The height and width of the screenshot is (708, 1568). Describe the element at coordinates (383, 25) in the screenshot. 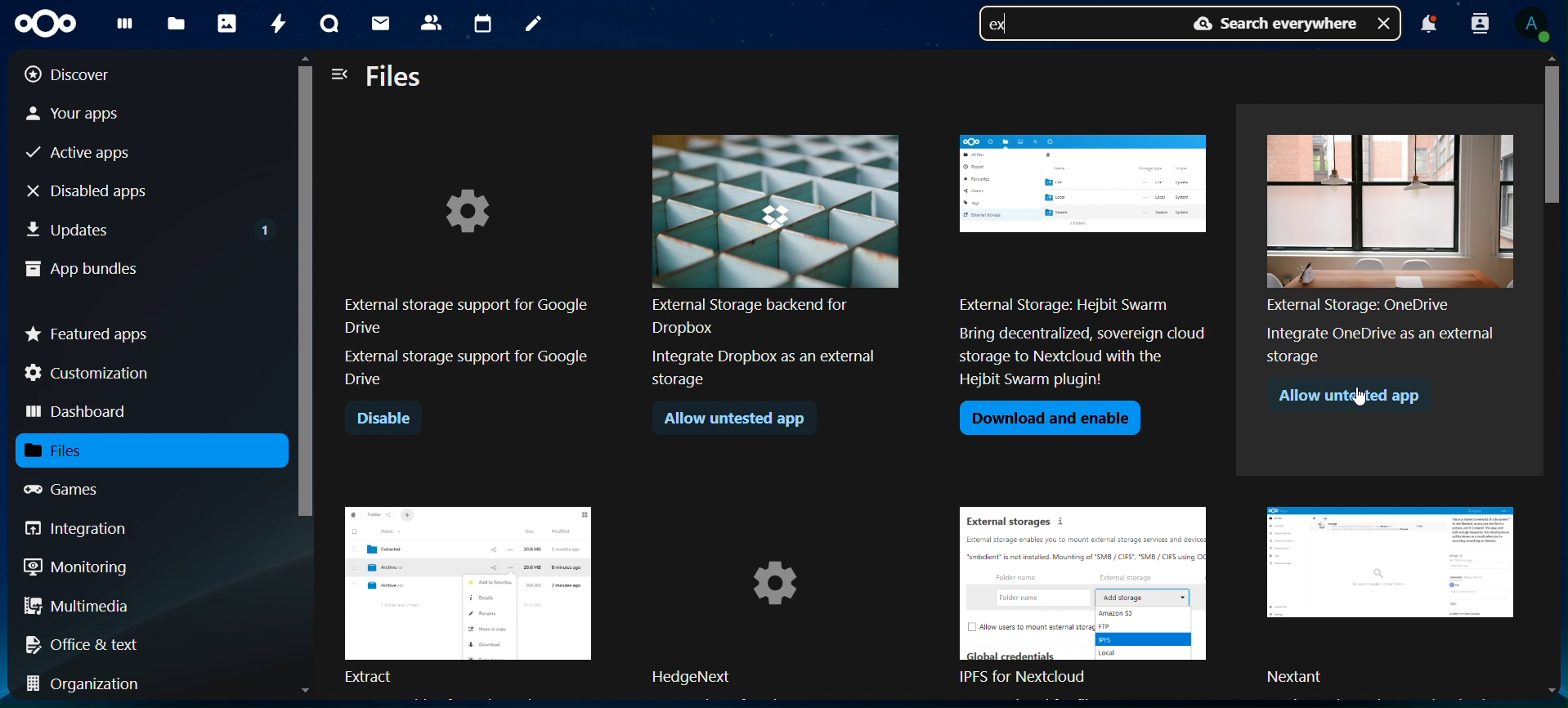

I see `mail` at that location.